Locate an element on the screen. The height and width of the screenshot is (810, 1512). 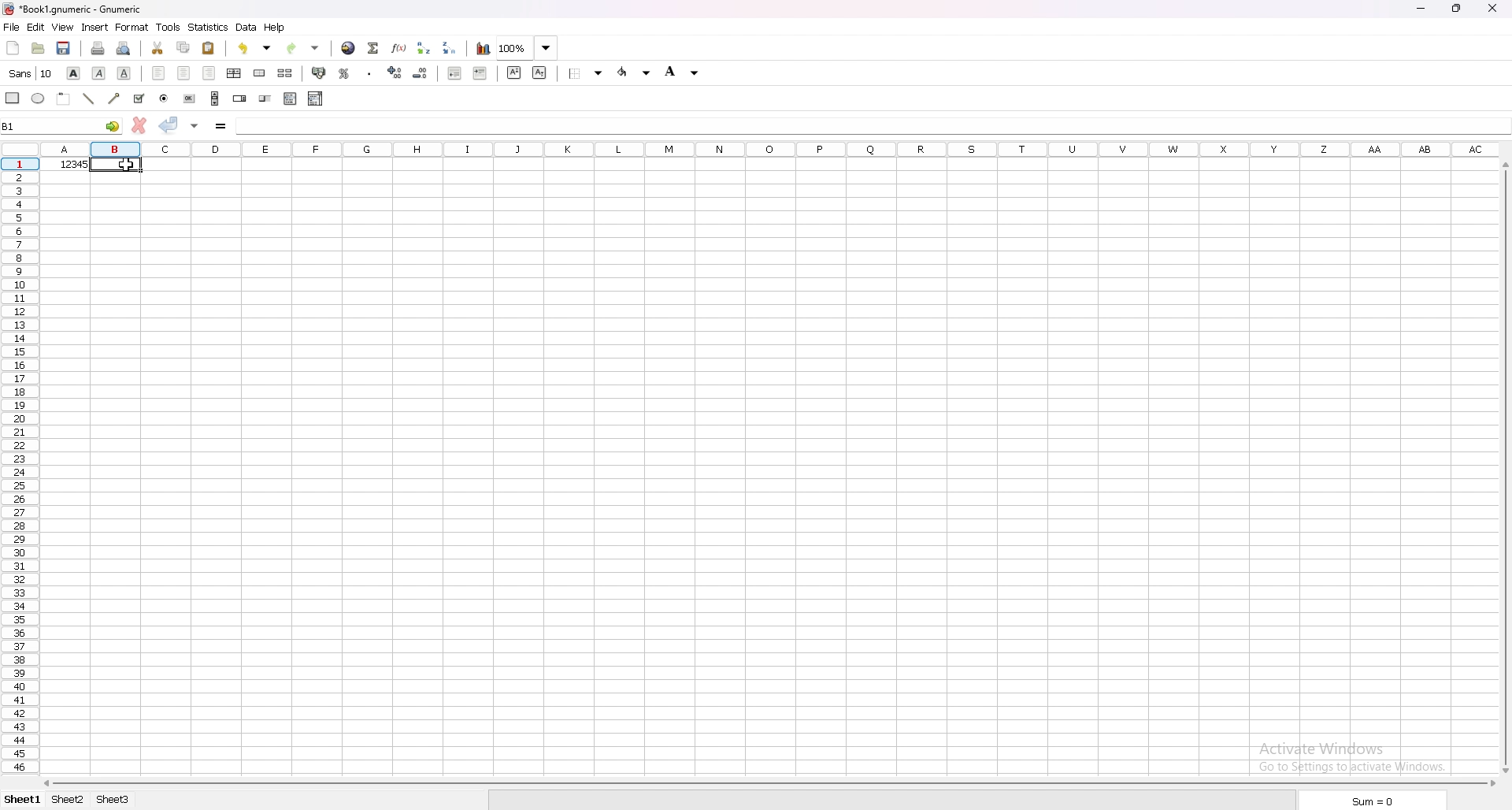
cut is located at coordinates (159, 48).